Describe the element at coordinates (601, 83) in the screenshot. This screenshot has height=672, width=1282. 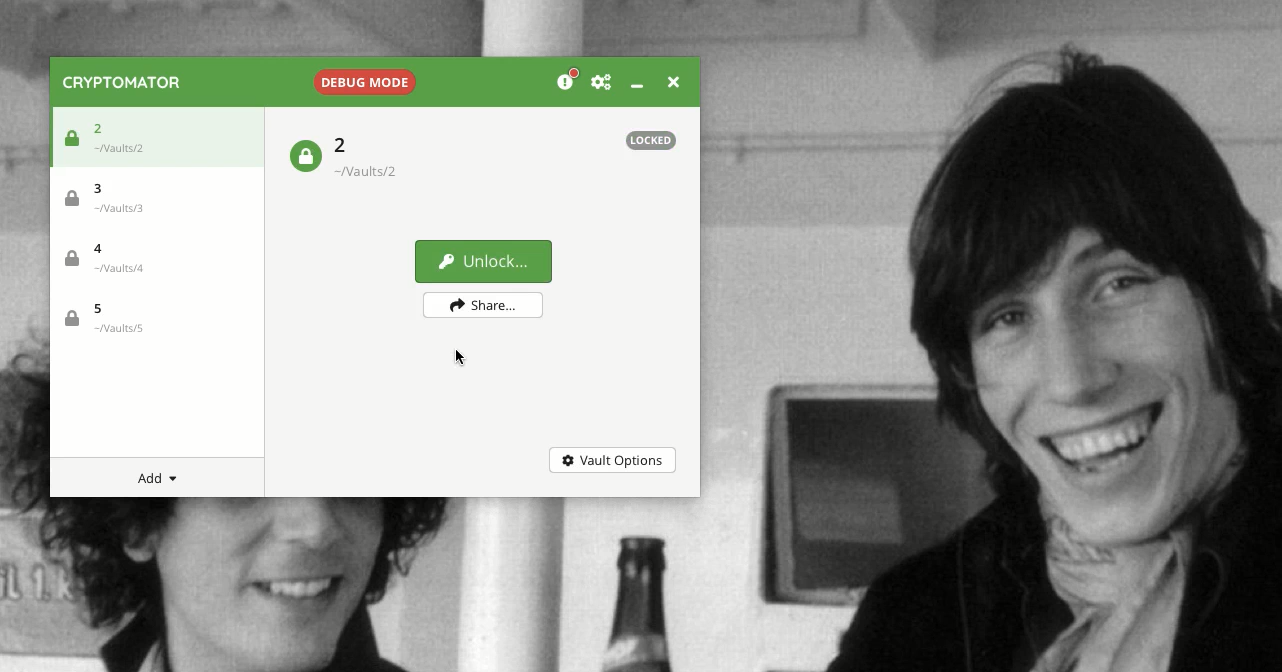
I see `Preferences` at that location.